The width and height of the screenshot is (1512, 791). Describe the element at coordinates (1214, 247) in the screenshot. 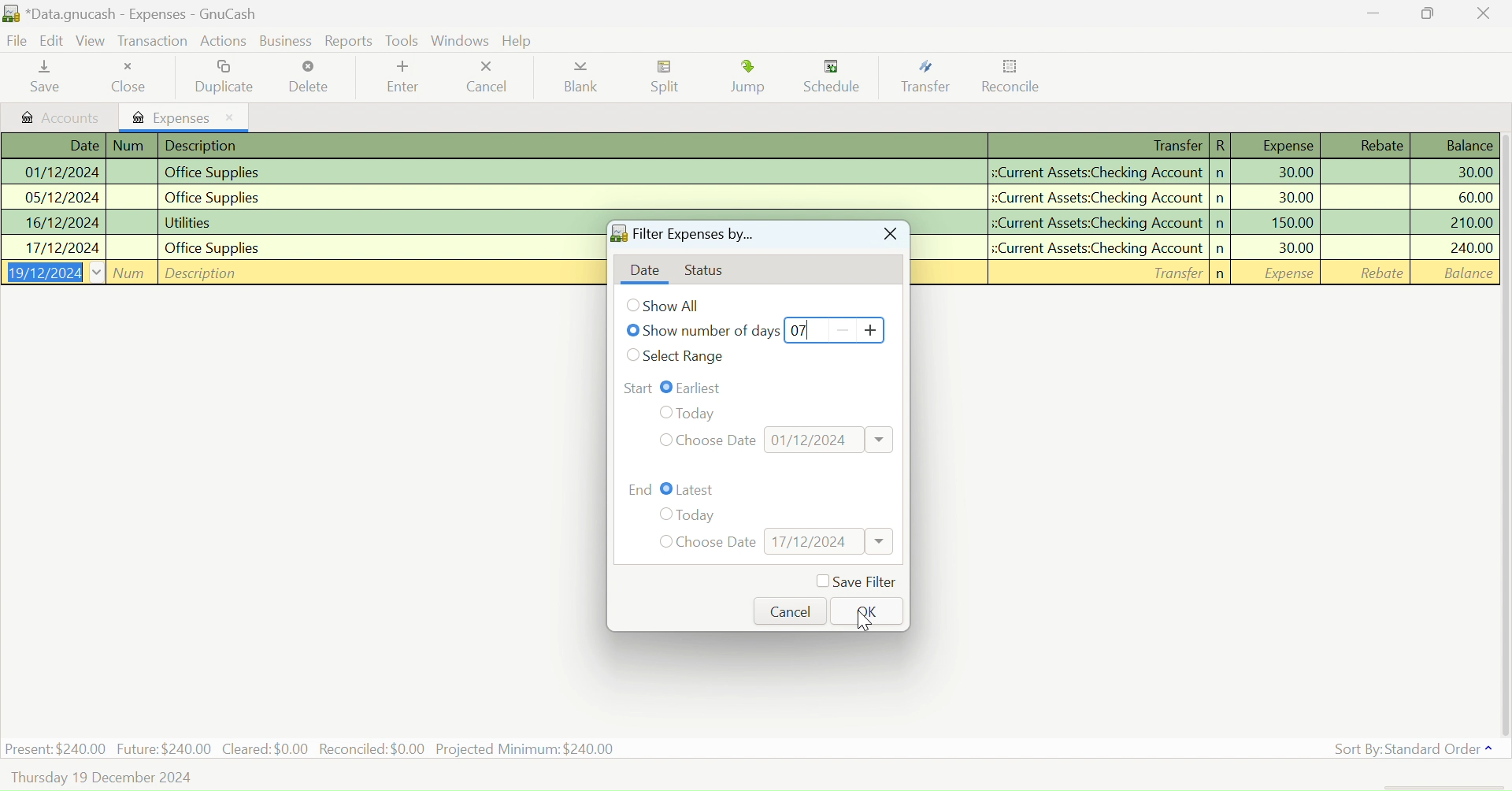

I see `Office Supplies Transaction` at that location.